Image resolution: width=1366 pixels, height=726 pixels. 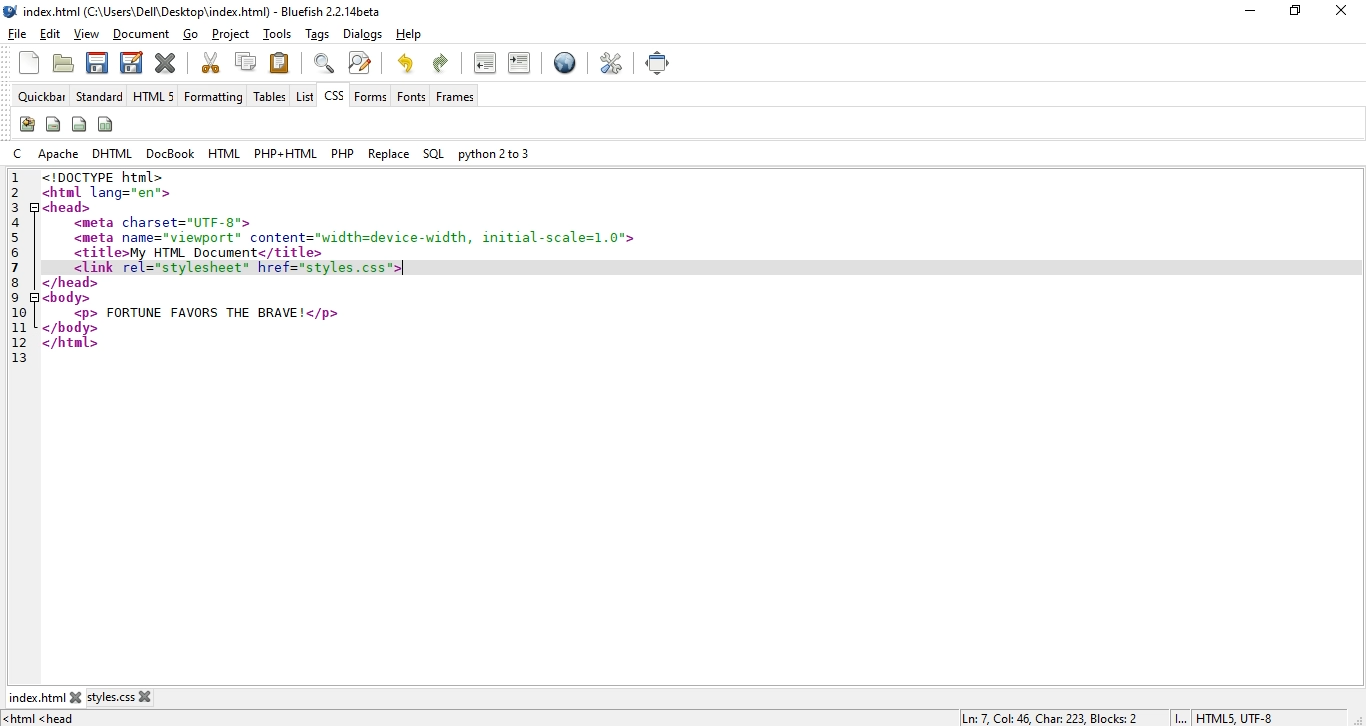 What do you see at coordinates (167, 62) in the screenshot?
I see `close current file` at bounding box center [167, 62].